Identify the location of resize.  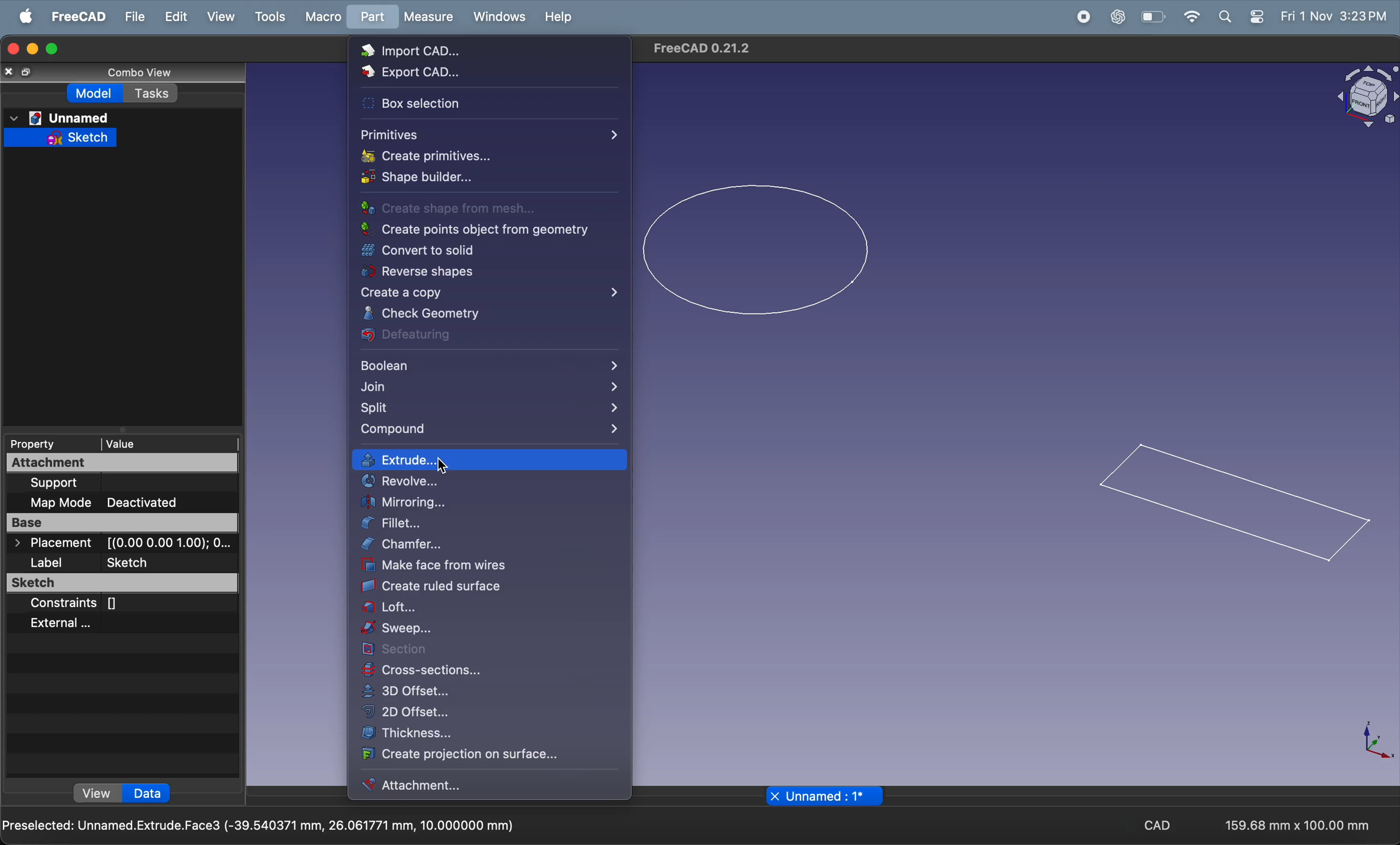
(28, 72).